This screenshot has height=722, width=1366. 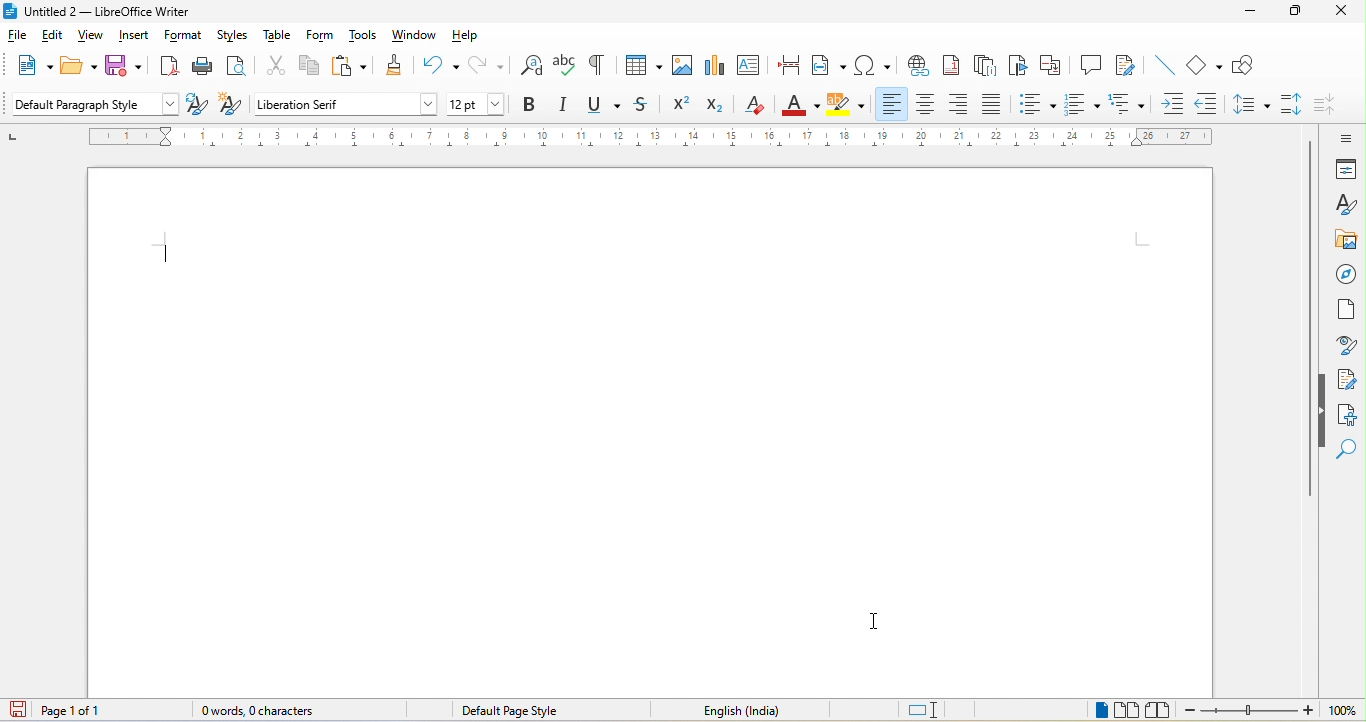 I want to click on print preview, so click(x=240, y=68).